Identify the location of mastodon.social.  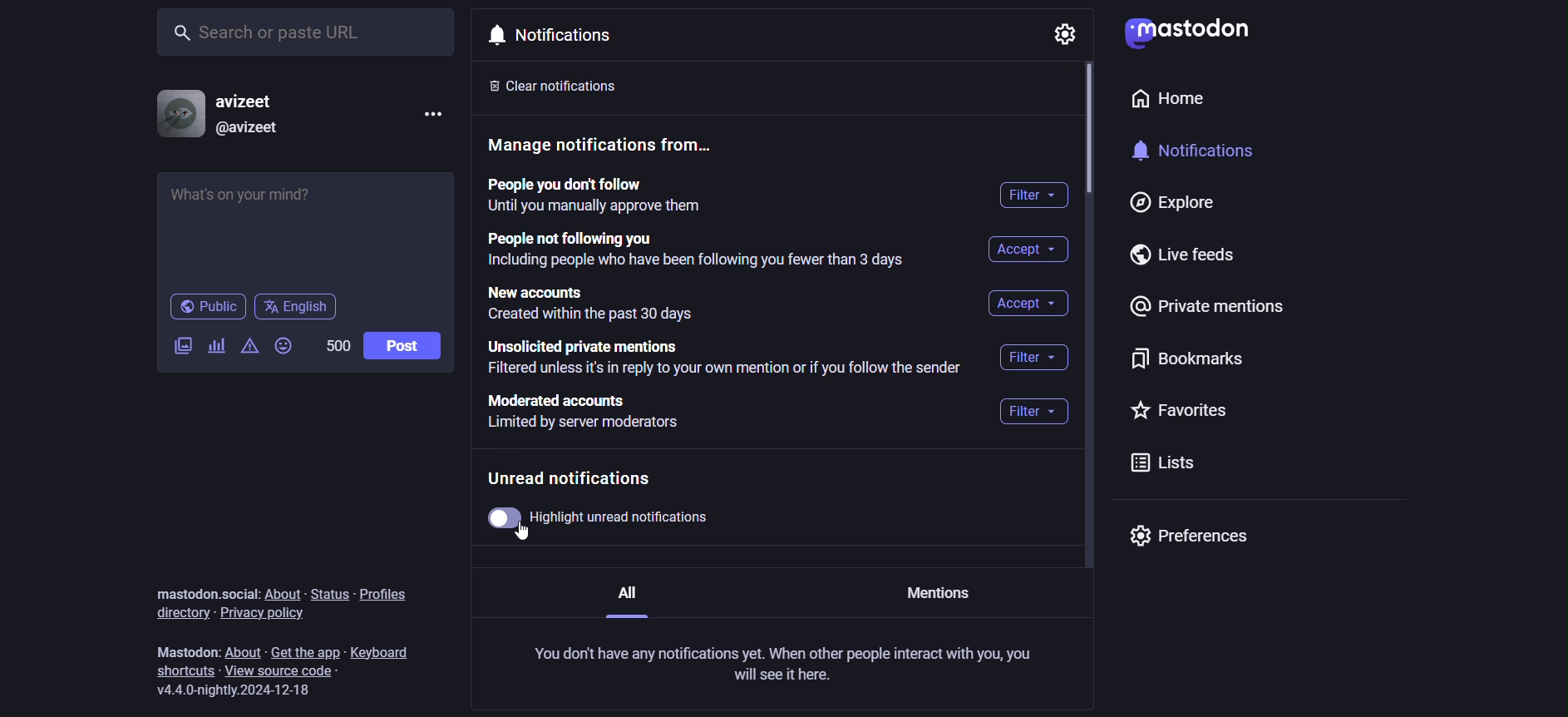
(201, 591).